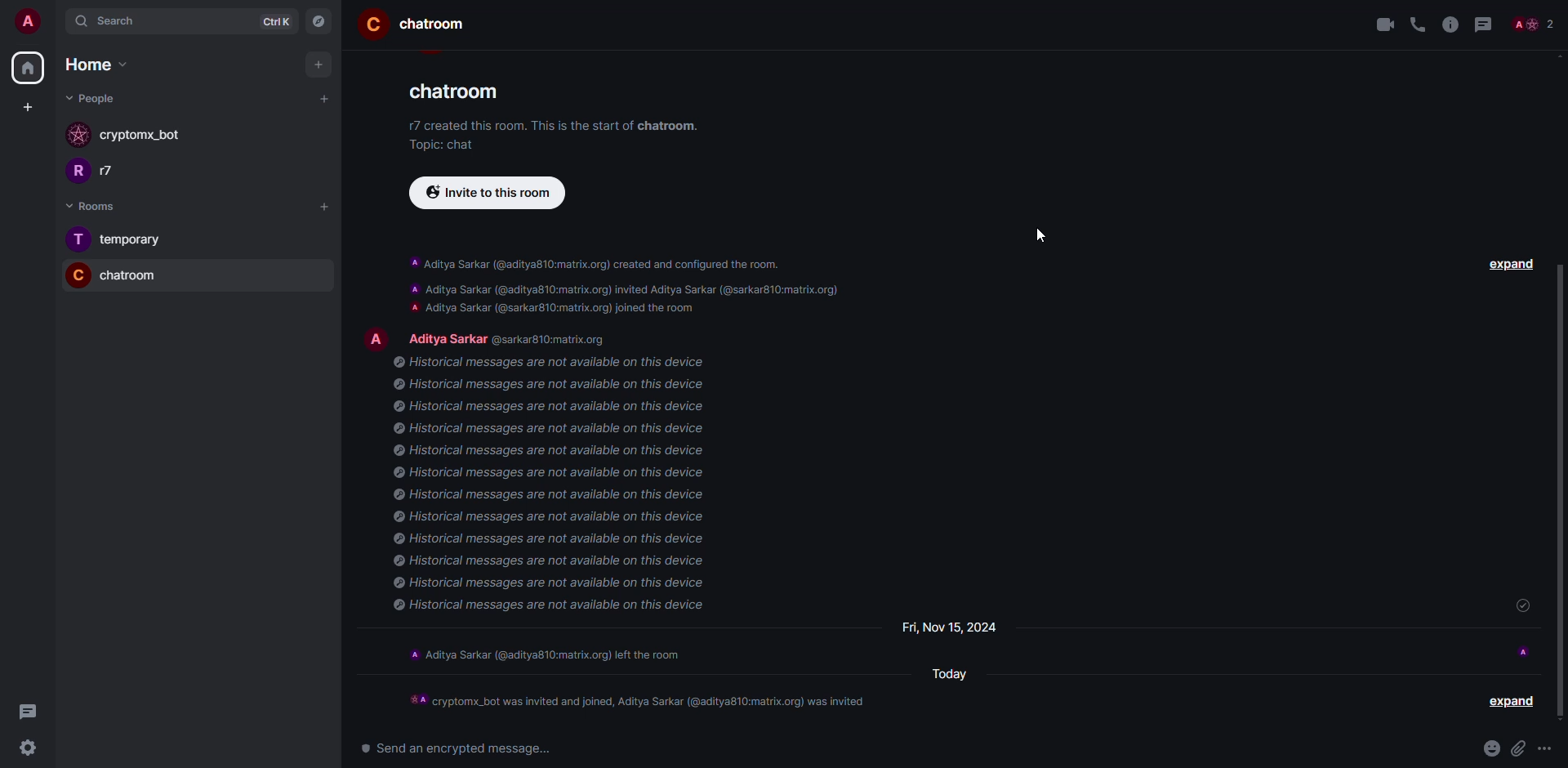 This screenshot has height=768, width=1568. I want to click on rooms, so click(86, 206).